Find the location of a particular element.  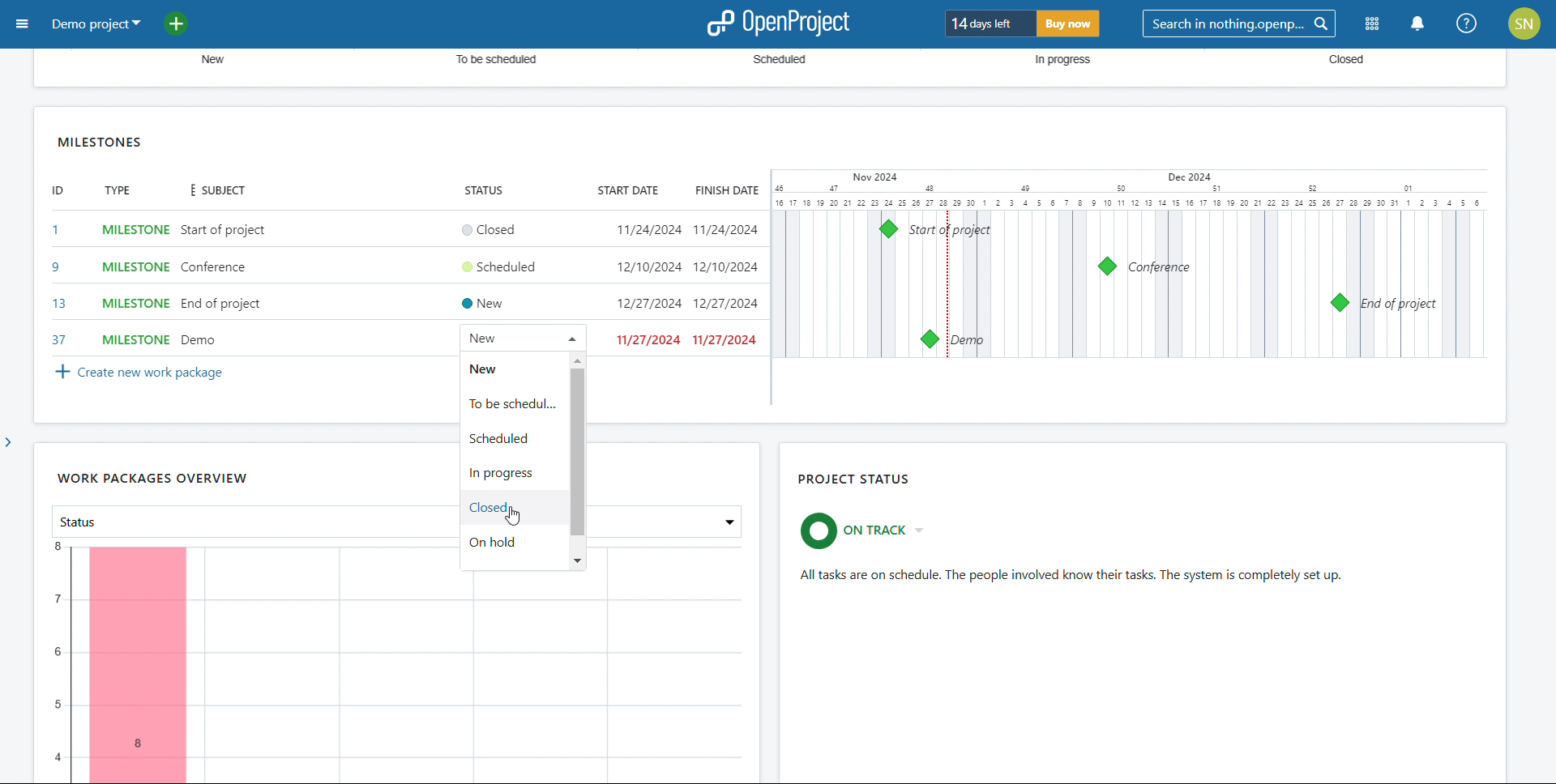

chart is located at coordinates (398, 672).